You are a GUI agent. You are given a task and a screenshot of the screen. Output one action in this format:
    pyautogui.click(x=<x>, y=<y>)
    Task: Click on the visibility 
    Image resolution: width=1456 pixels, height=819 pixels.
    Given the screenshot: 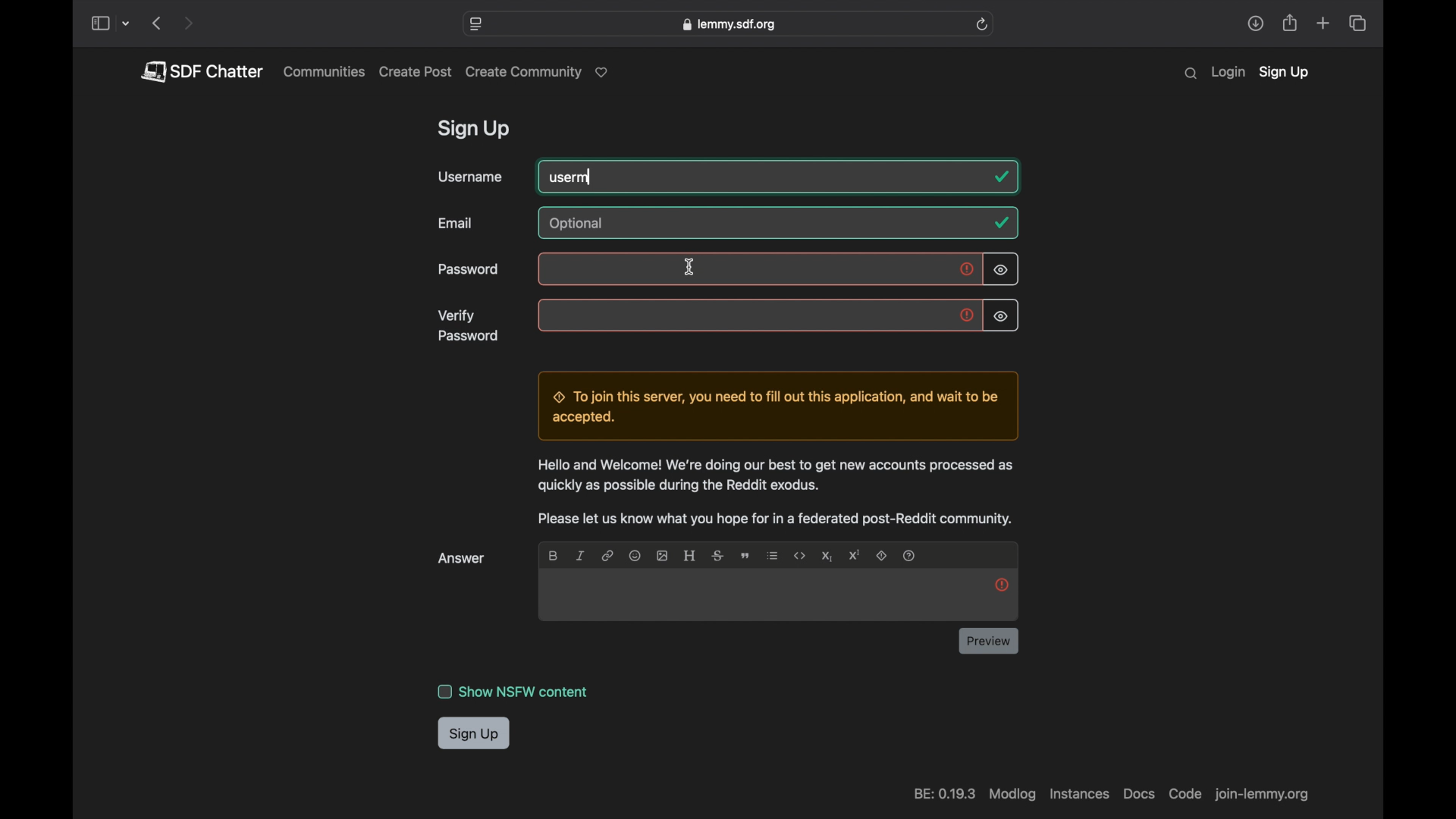 What is the action you would take?
    pyautogui.click(x=1000, y=317)
    